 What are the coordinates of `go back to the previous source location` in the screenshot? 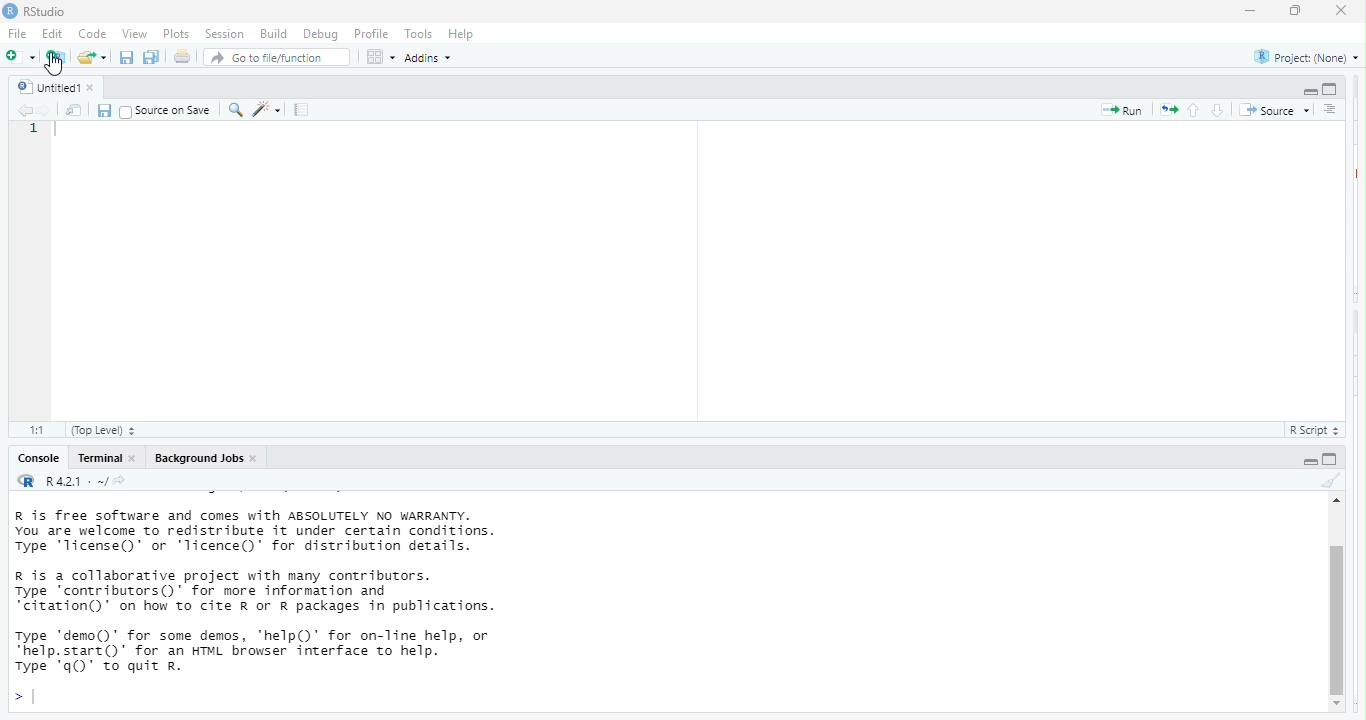 It's located at (26, 111).